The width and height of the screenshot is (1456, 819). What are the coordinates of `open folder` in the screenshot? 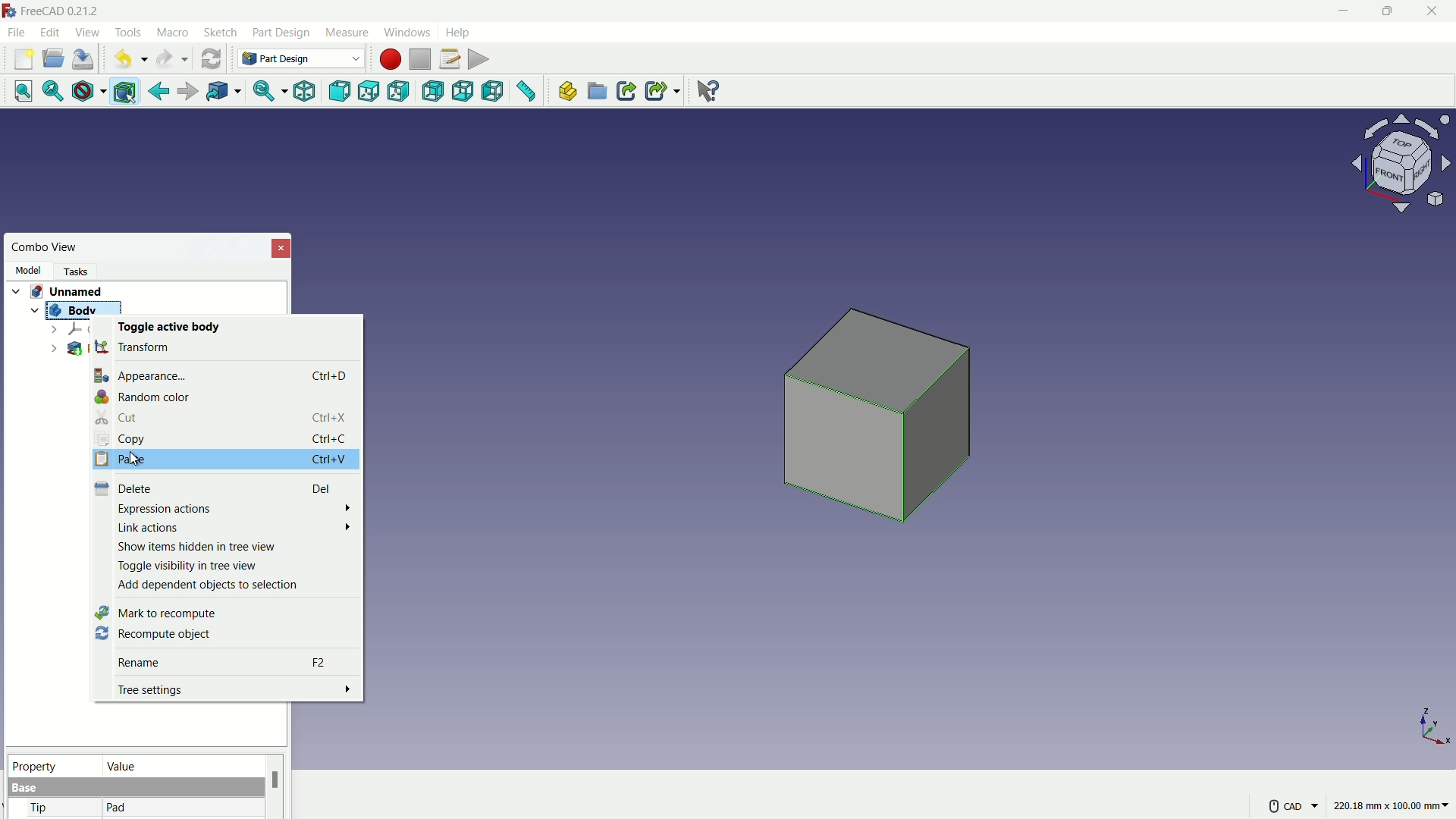 It's located at (53, 59).